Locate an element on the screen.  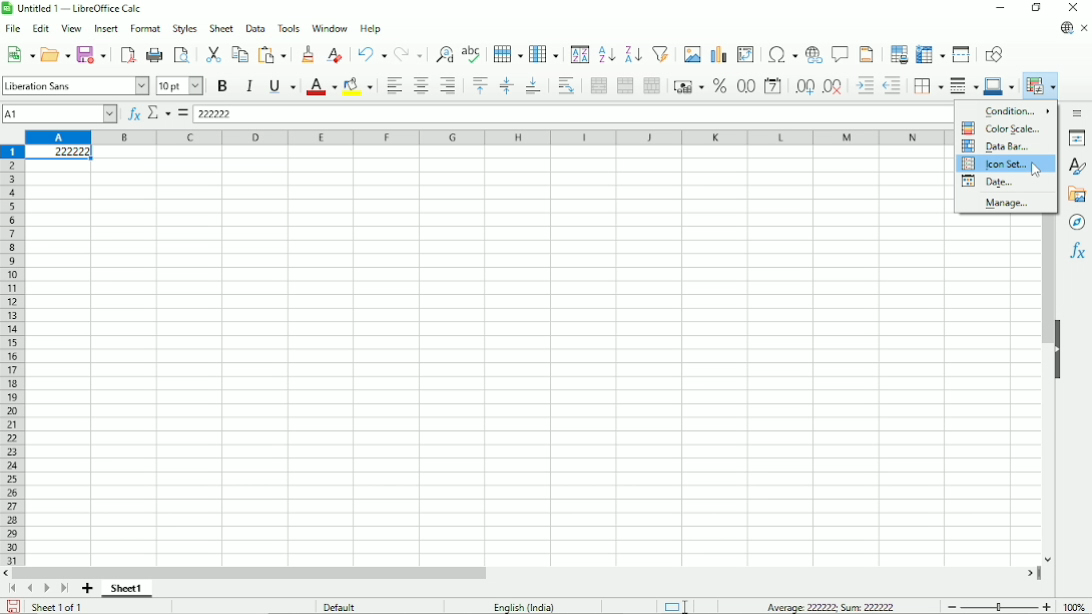
Active cell is located at coordinates (58, 154).